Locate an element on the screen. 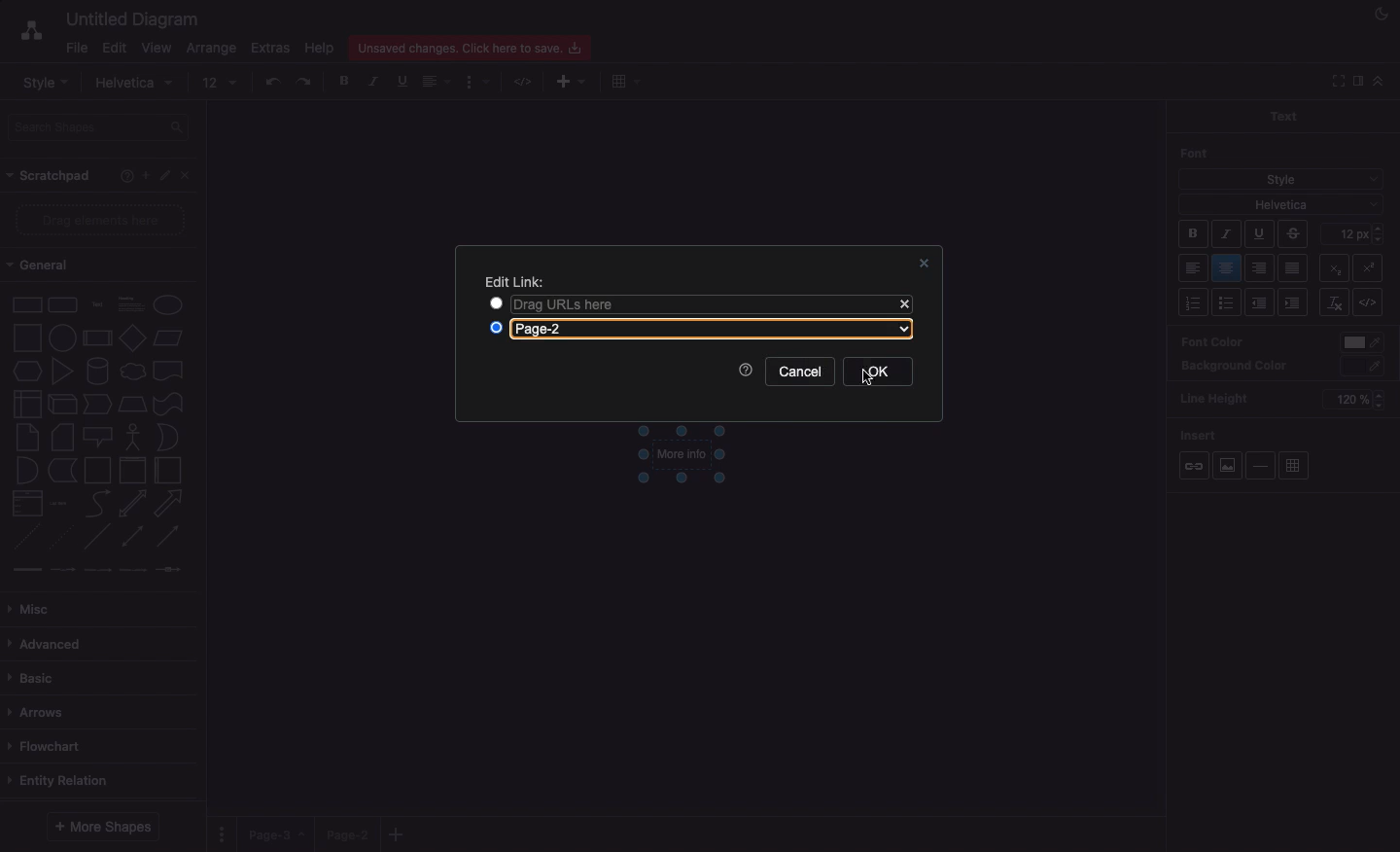 The height and width of the screenshot is (852, 1400). Close is located at coordinates (925, 263).